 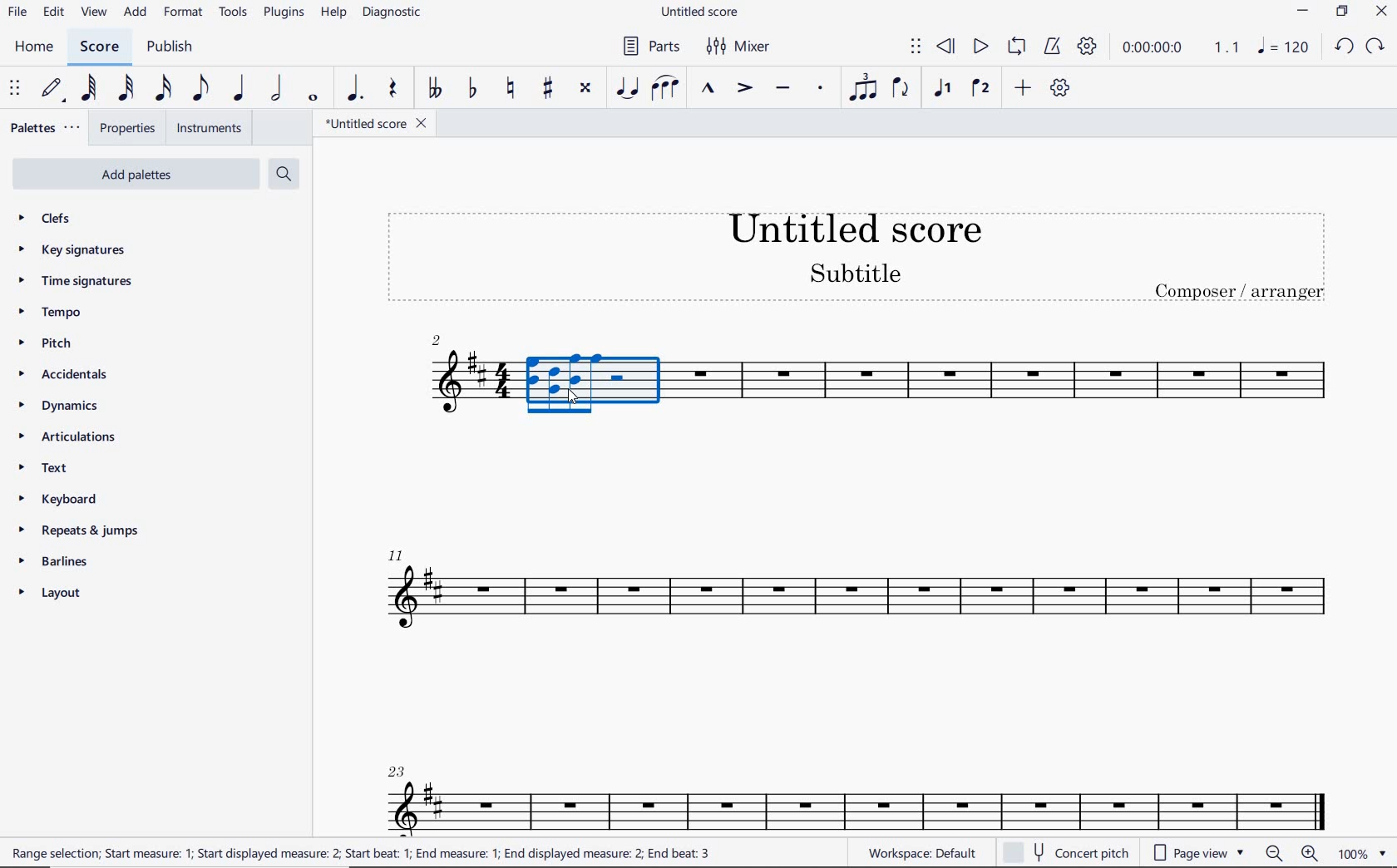 I want to click on 16TH NOTE, so click(x=161, y=89).